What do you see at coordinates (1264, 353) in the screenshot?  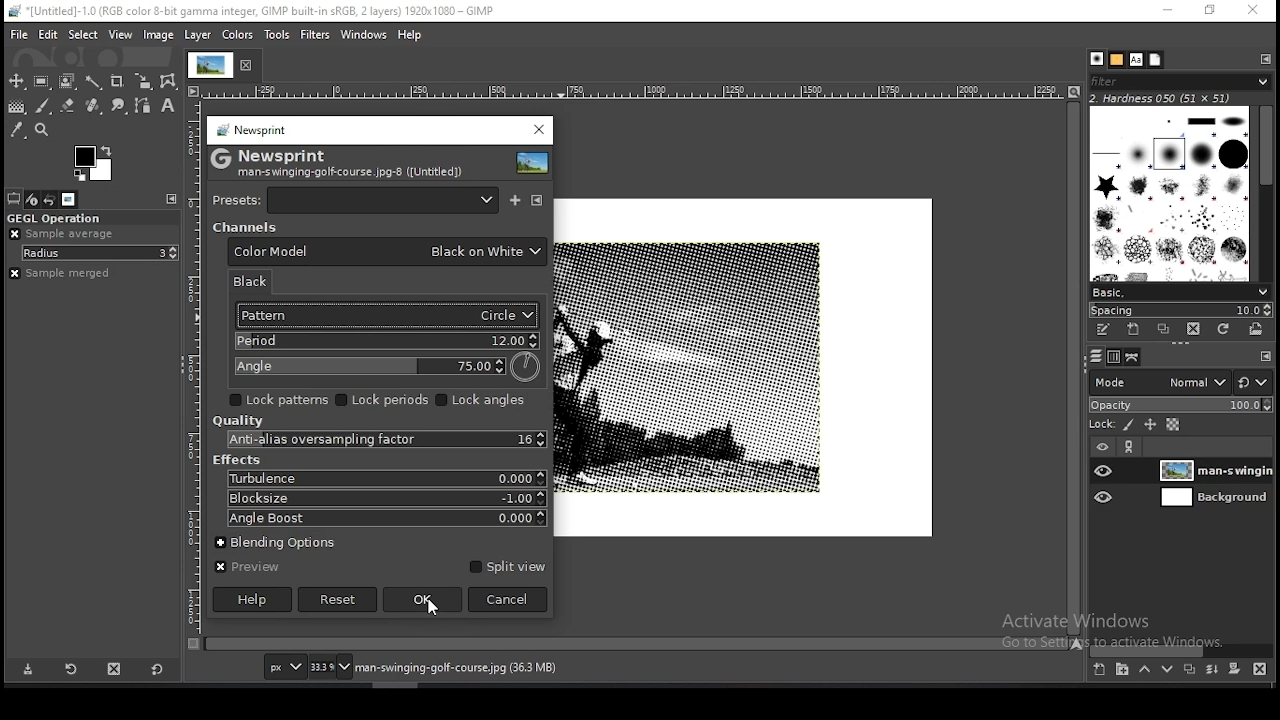 I see `configure this tab` at bounding box center [1264, 353].